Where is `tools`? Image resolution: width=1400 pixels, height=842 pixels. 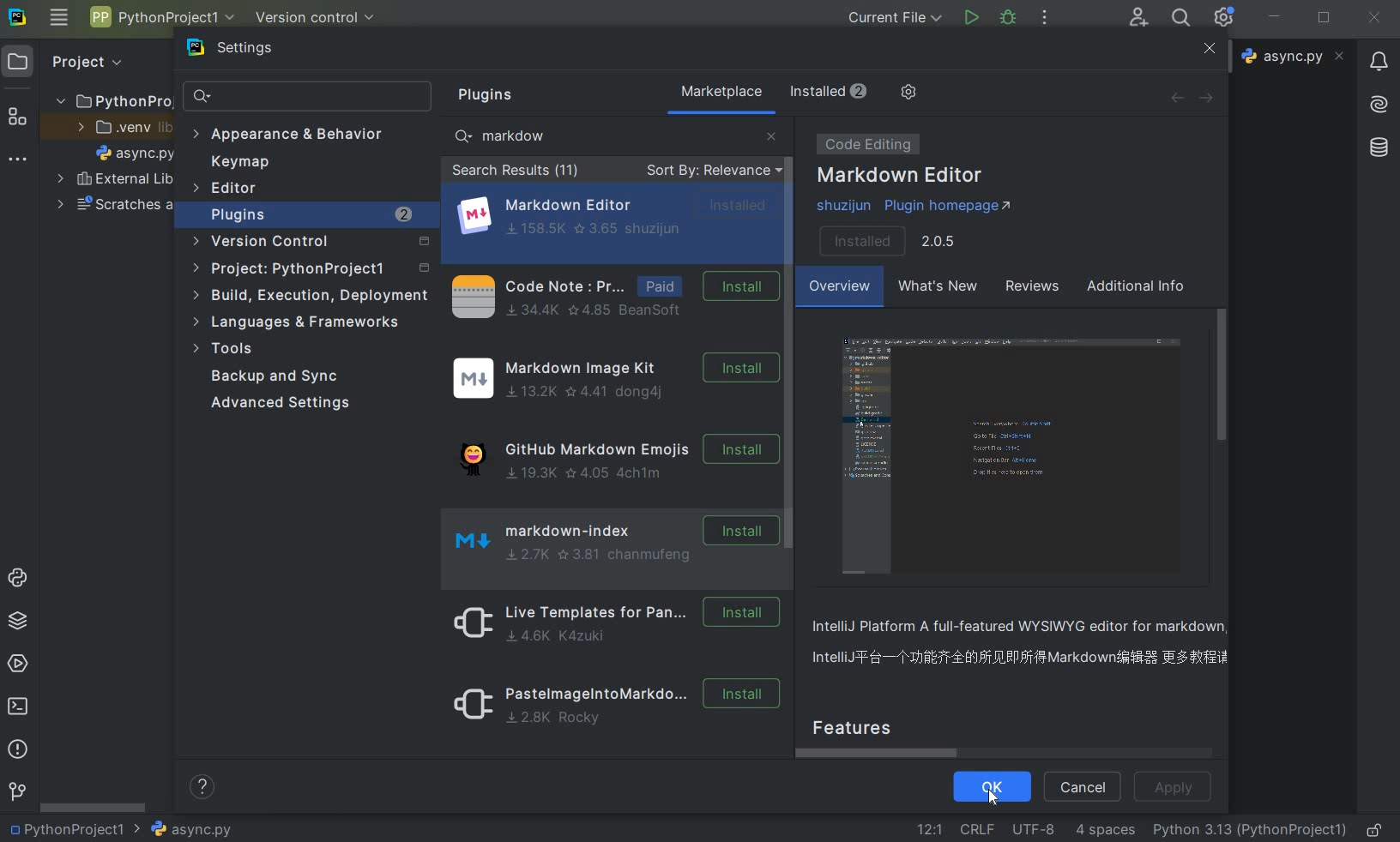 tools is located at coordinates (227, 351).